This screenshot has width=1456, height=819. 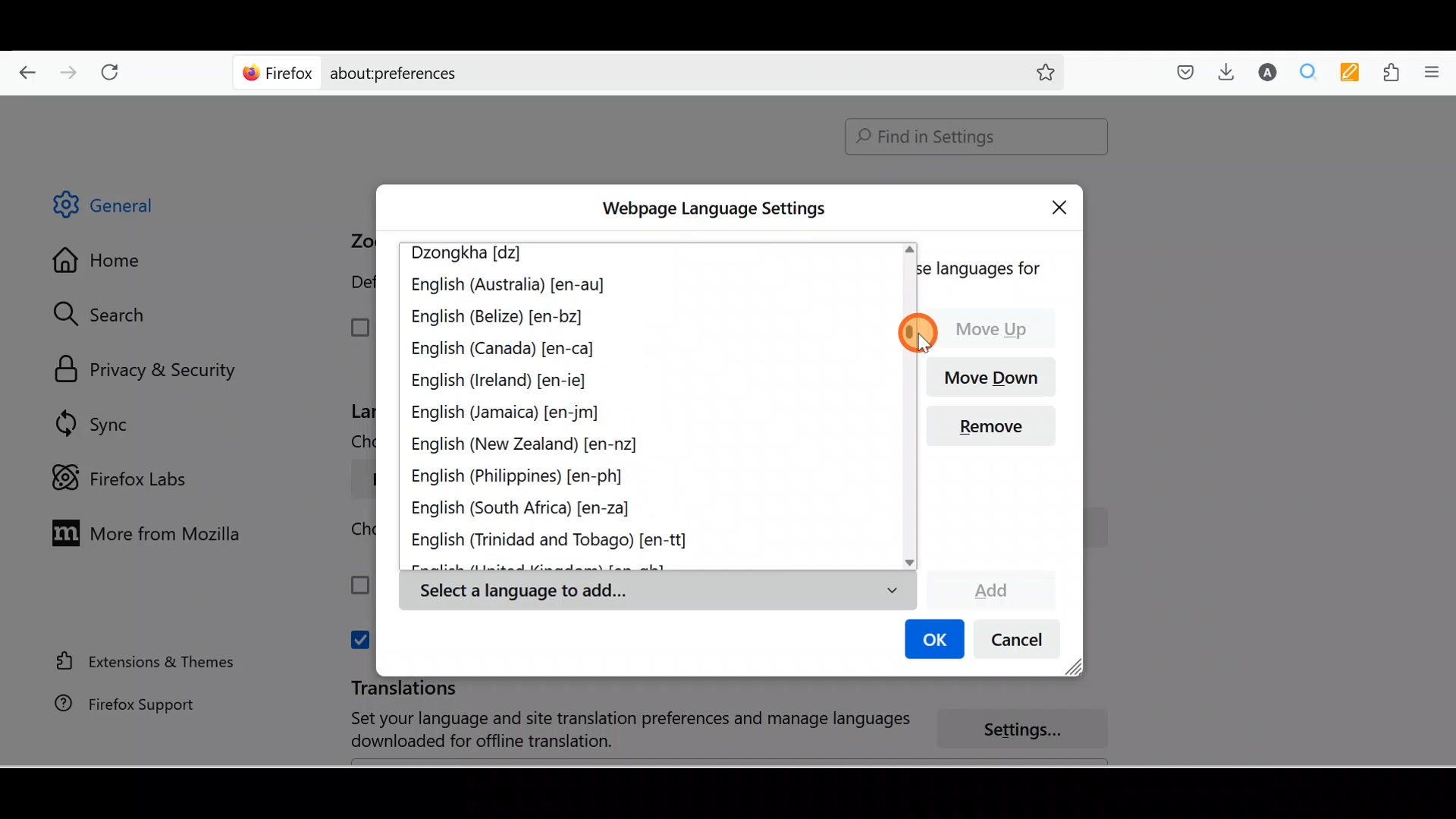 What do you see at coordinates (1395, 73) in the screenshot?
I see `Extensions` at bounding box center [1395, 73].